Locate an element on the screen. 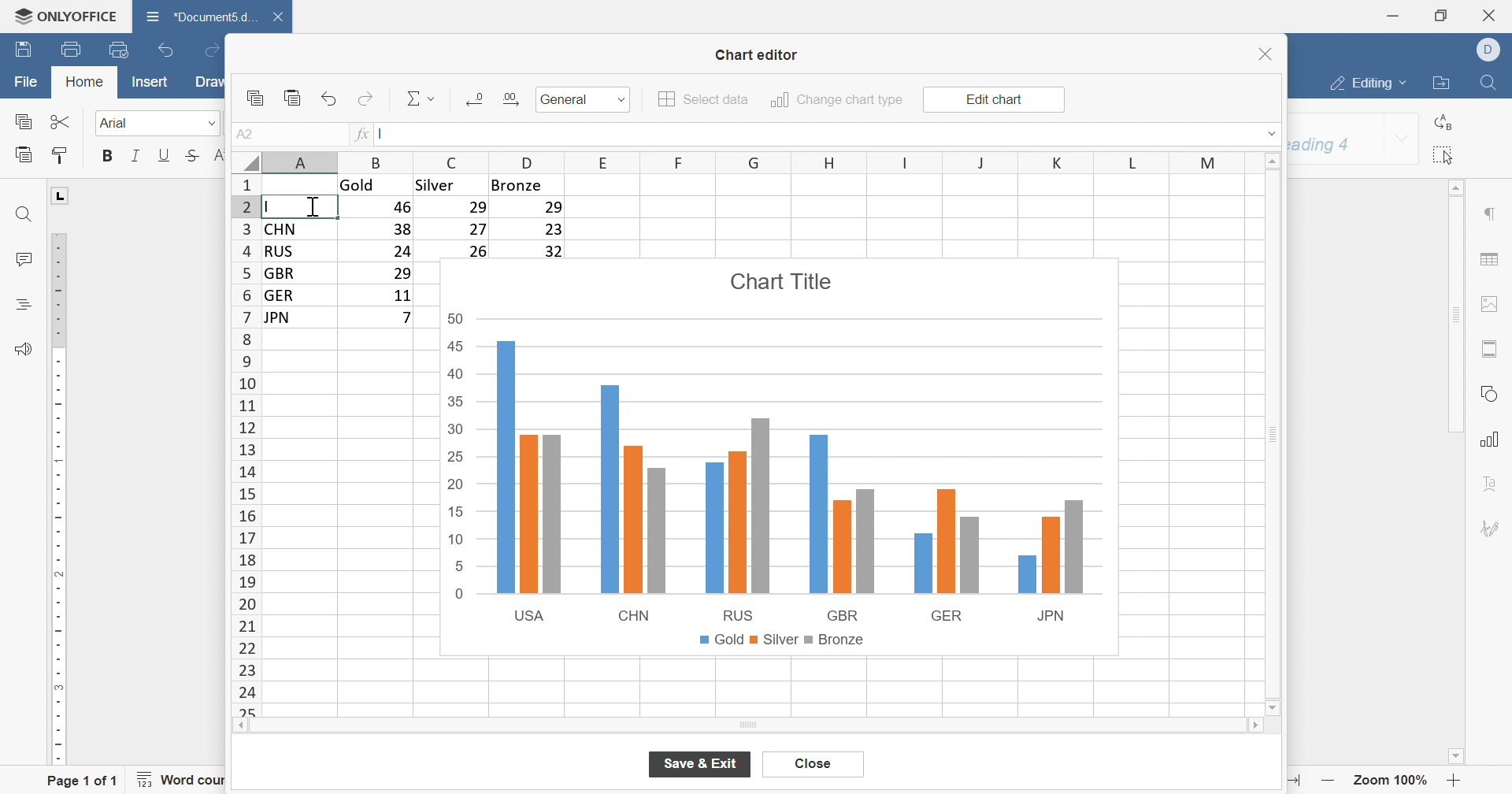  Cursor is located at coordinates (320, 203).